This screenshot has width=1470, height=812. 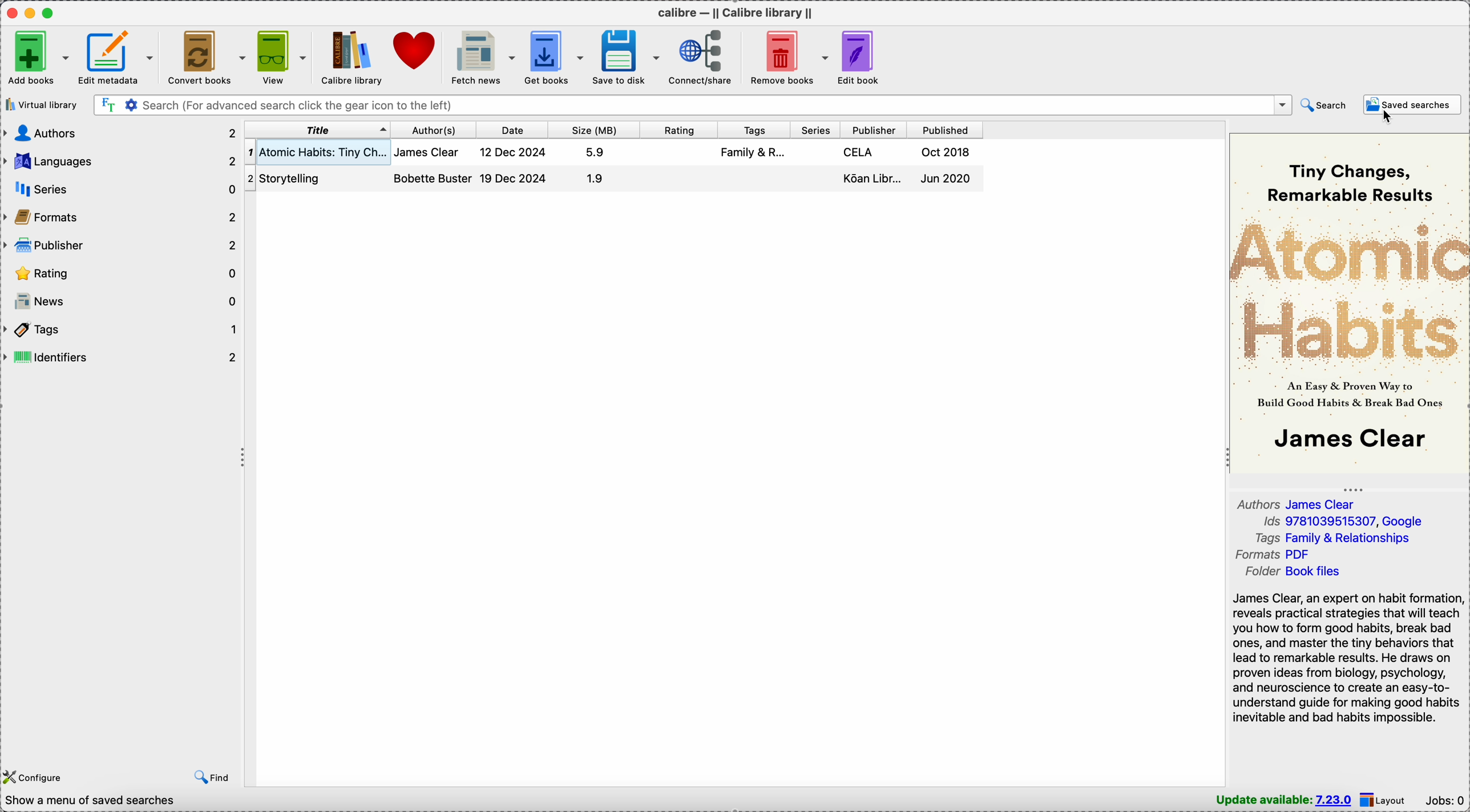 I want to click on publisher, so click(x=873, y=131).